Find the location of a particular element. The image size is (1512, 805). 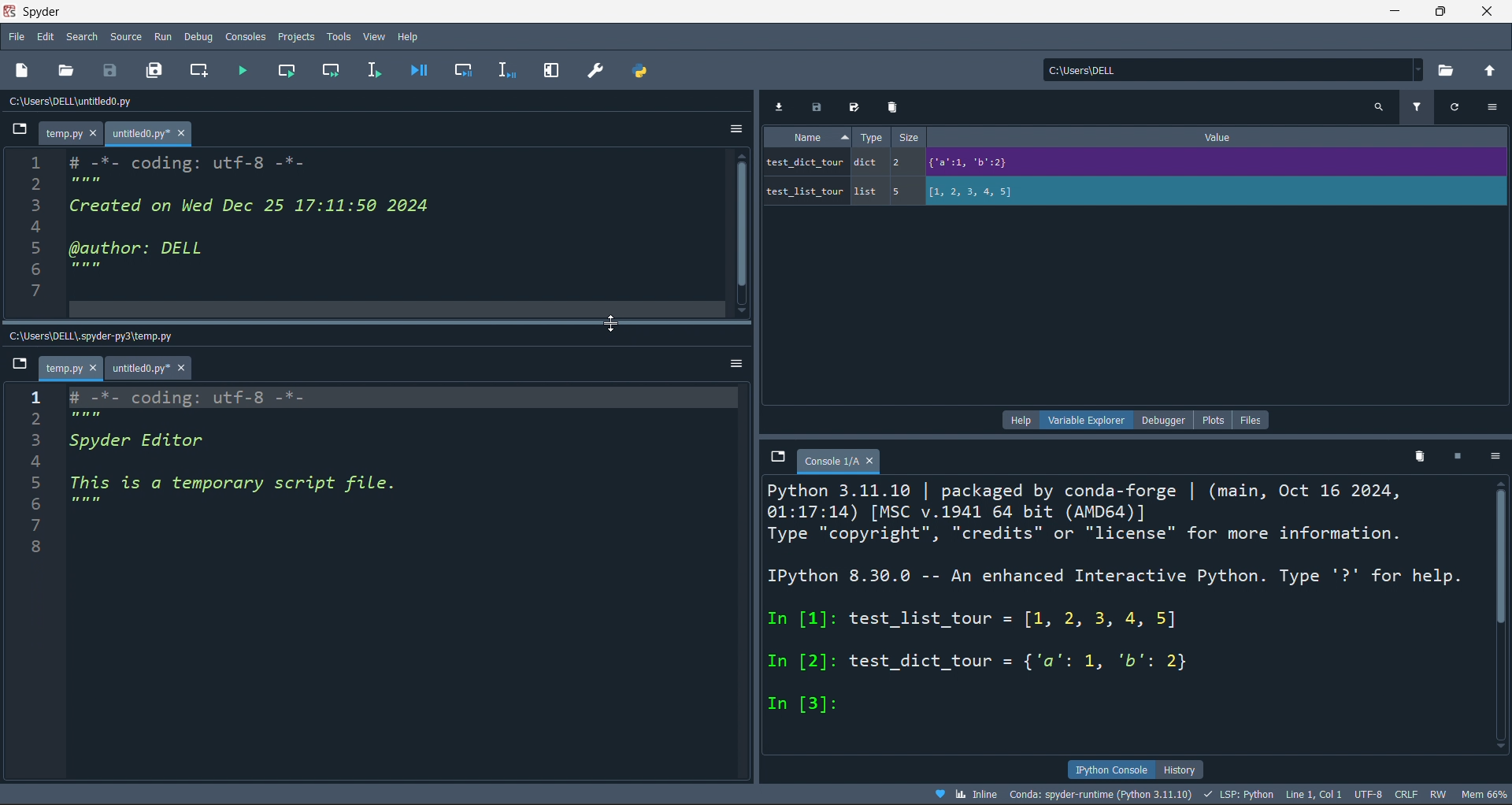

OPEN FILE is located at coordinates (66, 69).